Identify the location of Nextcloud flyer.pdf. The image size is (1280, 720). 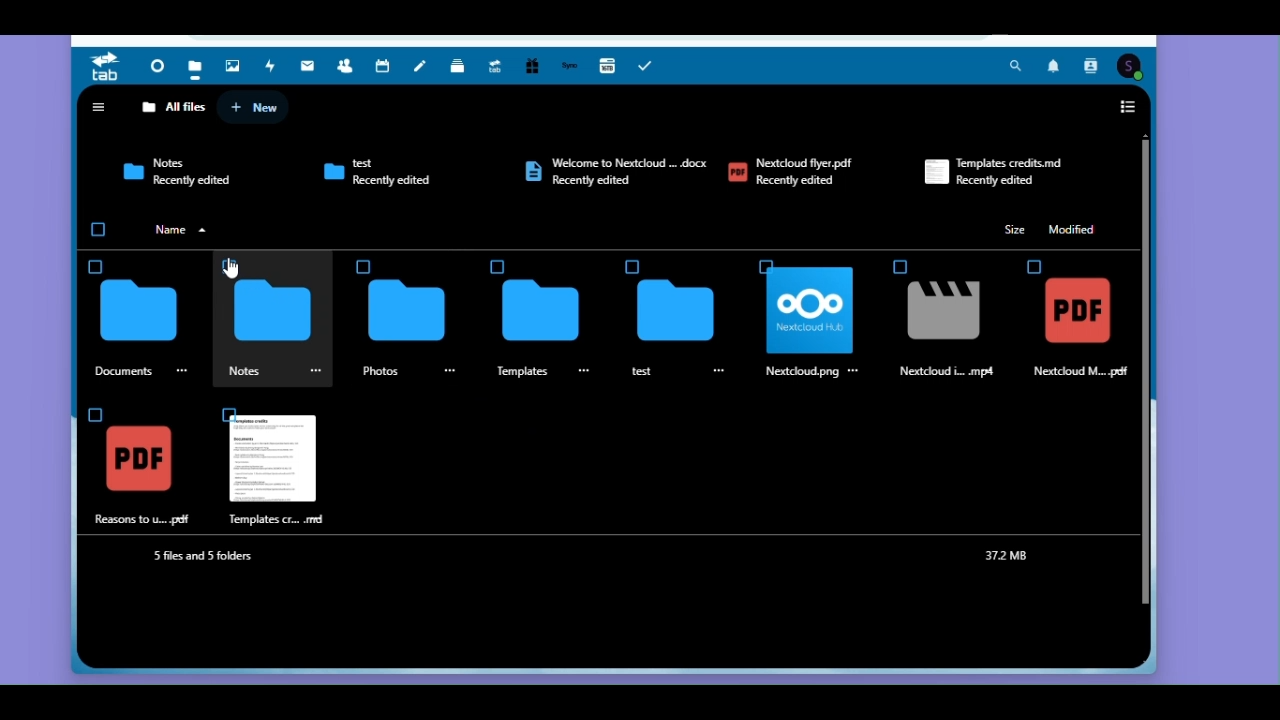
(810, 163).